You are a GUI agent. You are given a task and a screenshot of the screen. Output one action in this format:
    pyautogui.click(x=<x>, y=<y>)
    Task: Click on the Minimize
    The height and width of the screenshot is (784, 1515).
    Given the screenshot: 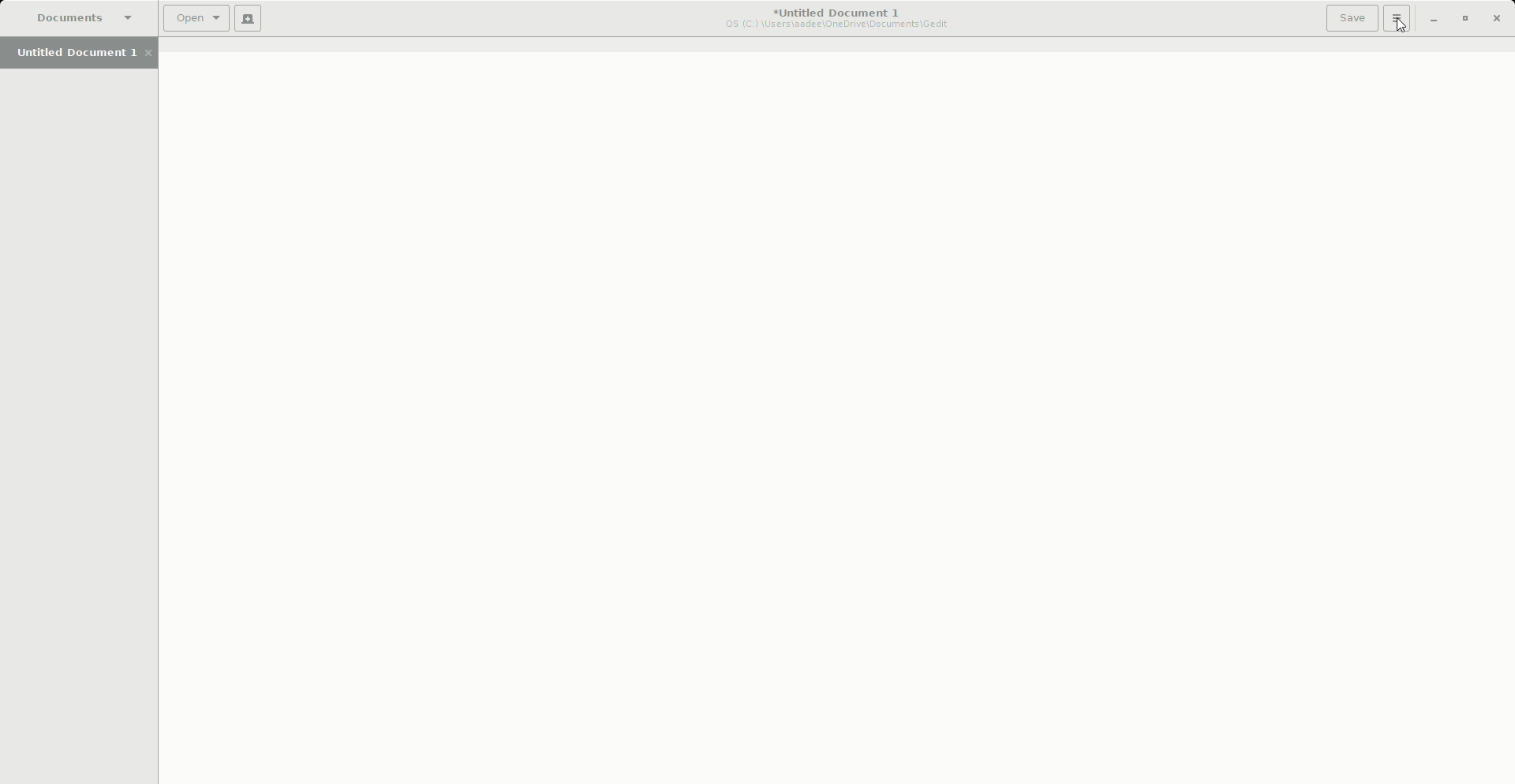 What is the action you would take?
    pyautogui.click(x=1427, y=19)
    